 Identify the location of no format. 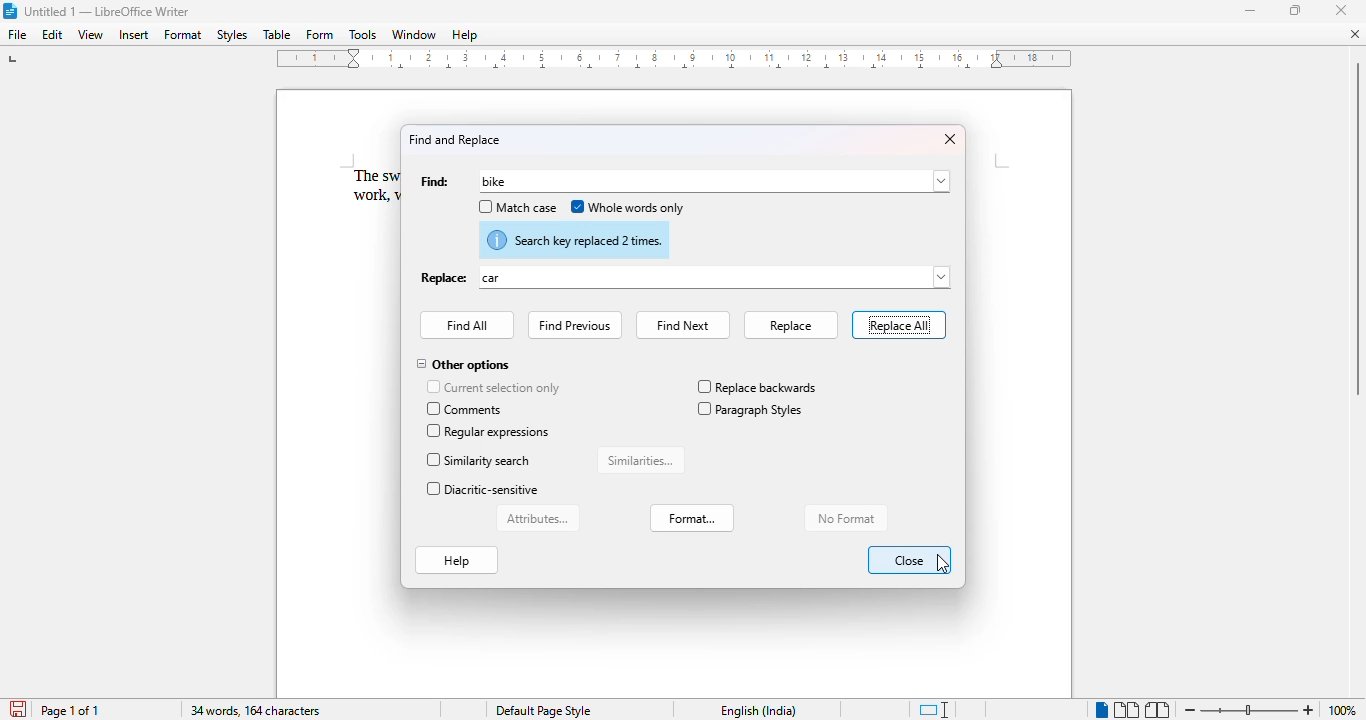
(844, 517).